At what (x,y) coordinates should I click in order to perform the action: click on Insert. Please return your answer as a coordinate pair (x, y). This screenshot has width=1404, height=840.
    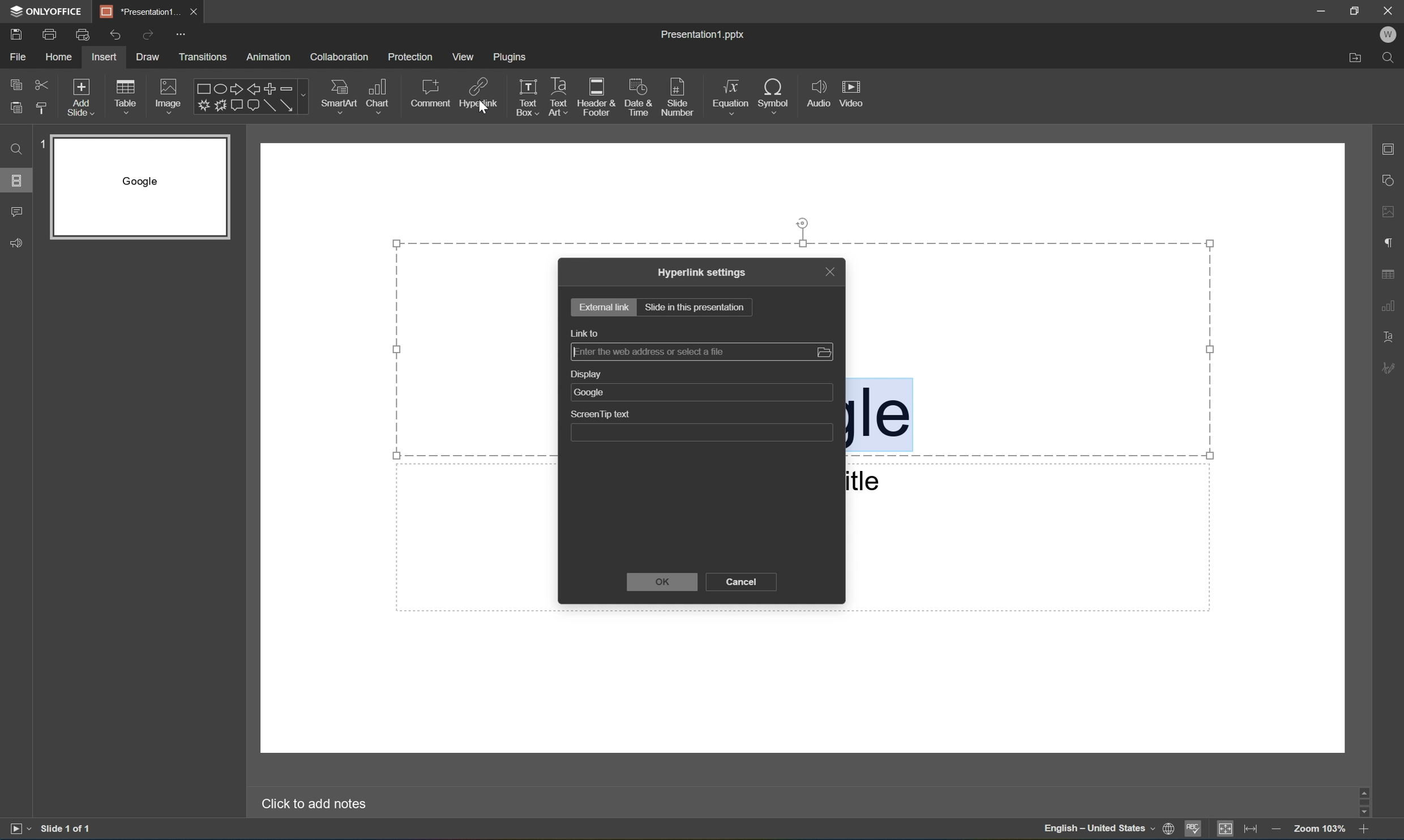
    Looking at the image, I should click on (106, 56).